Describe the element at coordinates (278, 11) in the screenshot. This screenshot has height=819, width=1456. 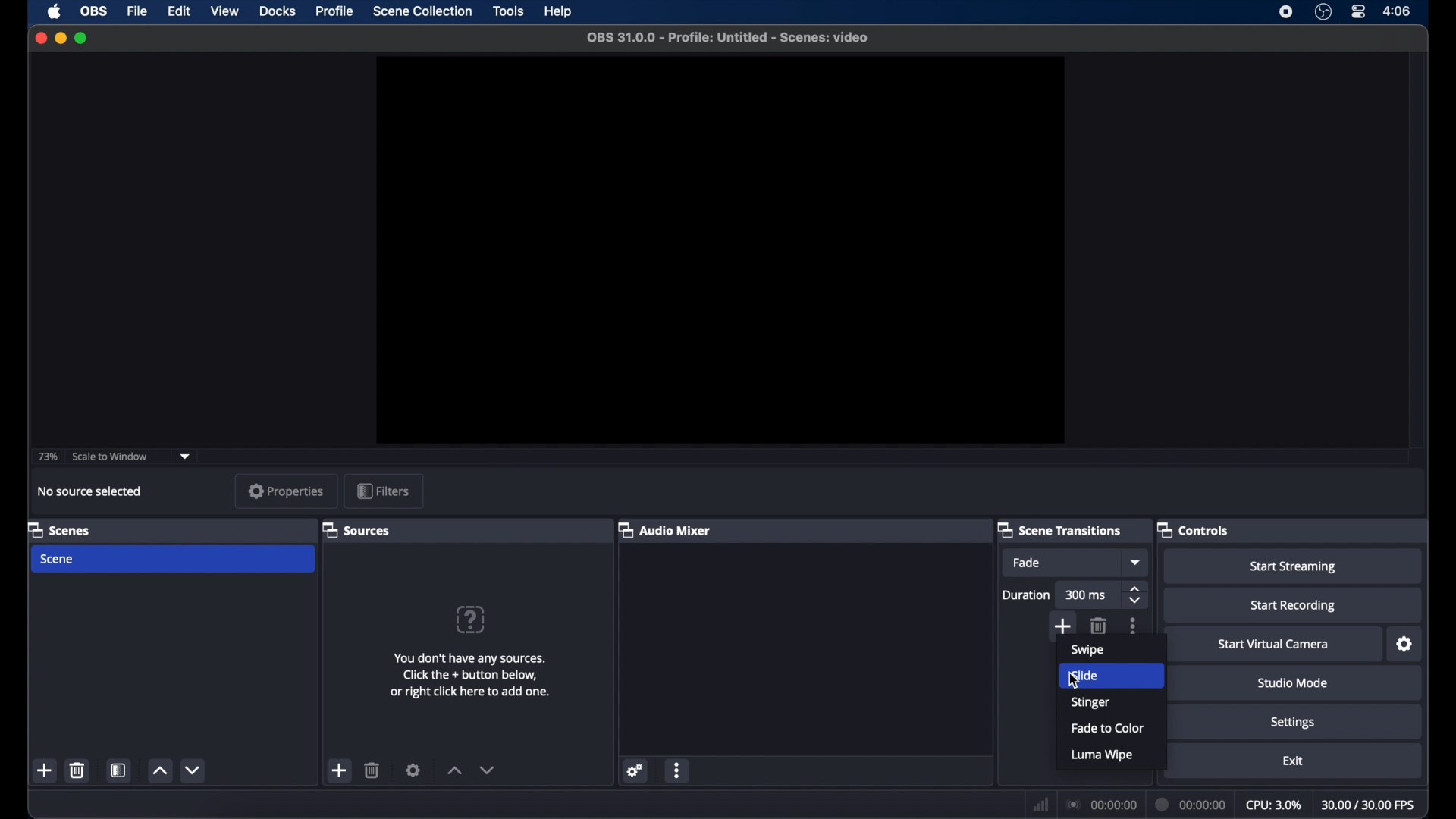
I see `docks` at that location.